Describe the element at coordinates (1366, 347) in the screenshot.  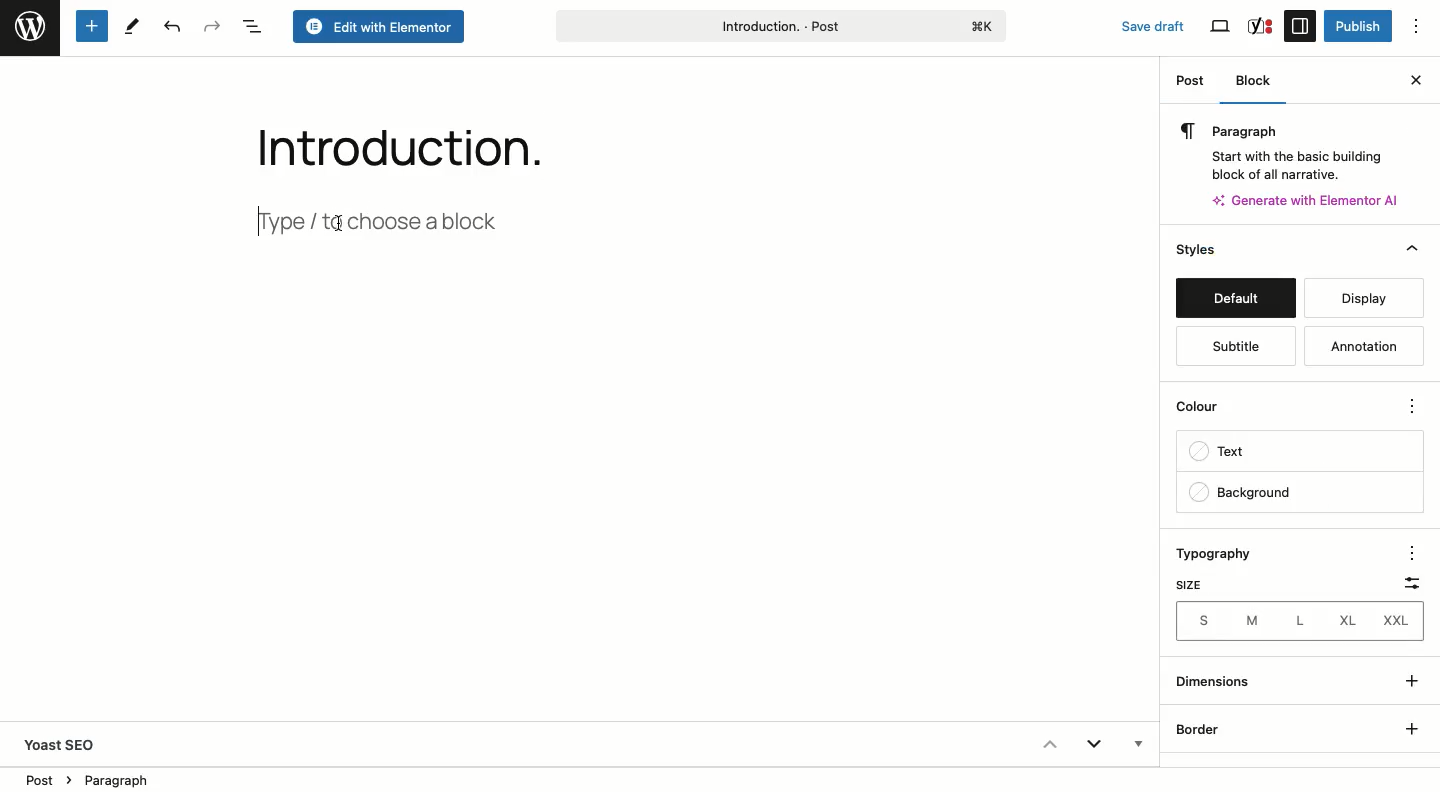
I see `Annotation` at that location.